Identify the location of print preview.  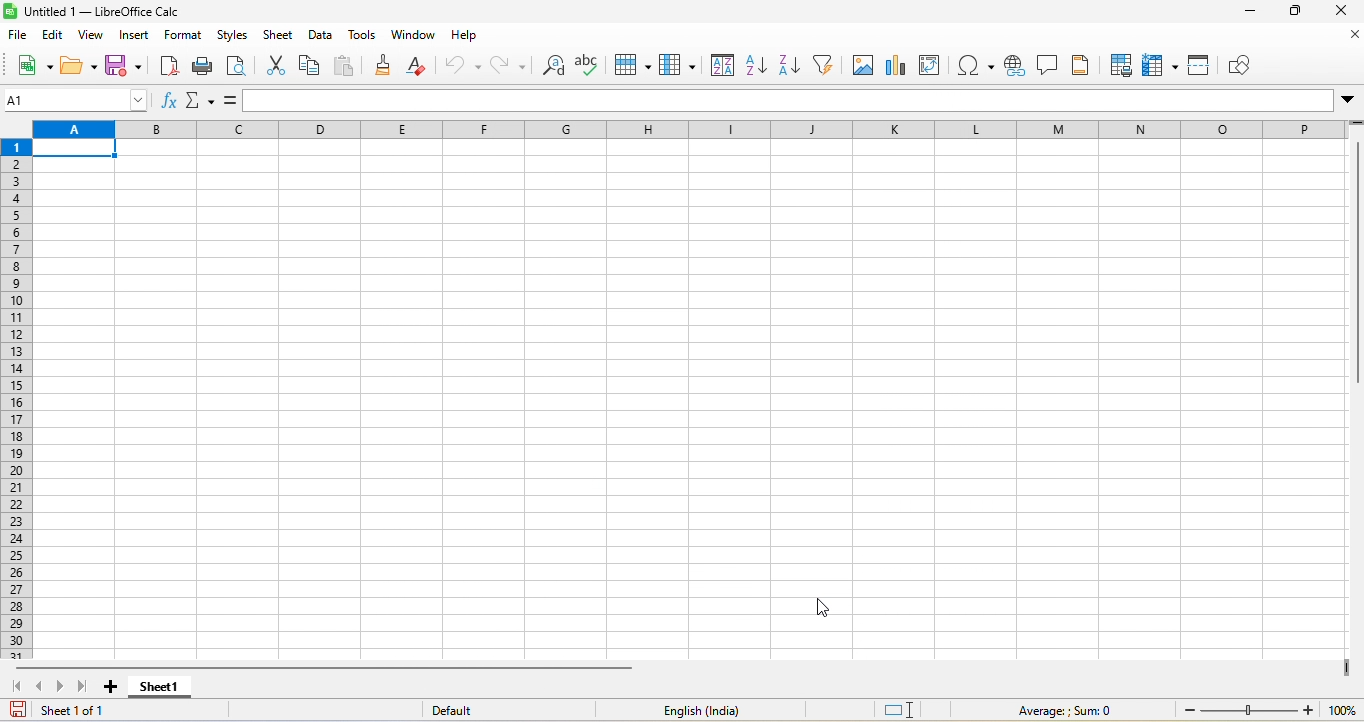
(243, 65).